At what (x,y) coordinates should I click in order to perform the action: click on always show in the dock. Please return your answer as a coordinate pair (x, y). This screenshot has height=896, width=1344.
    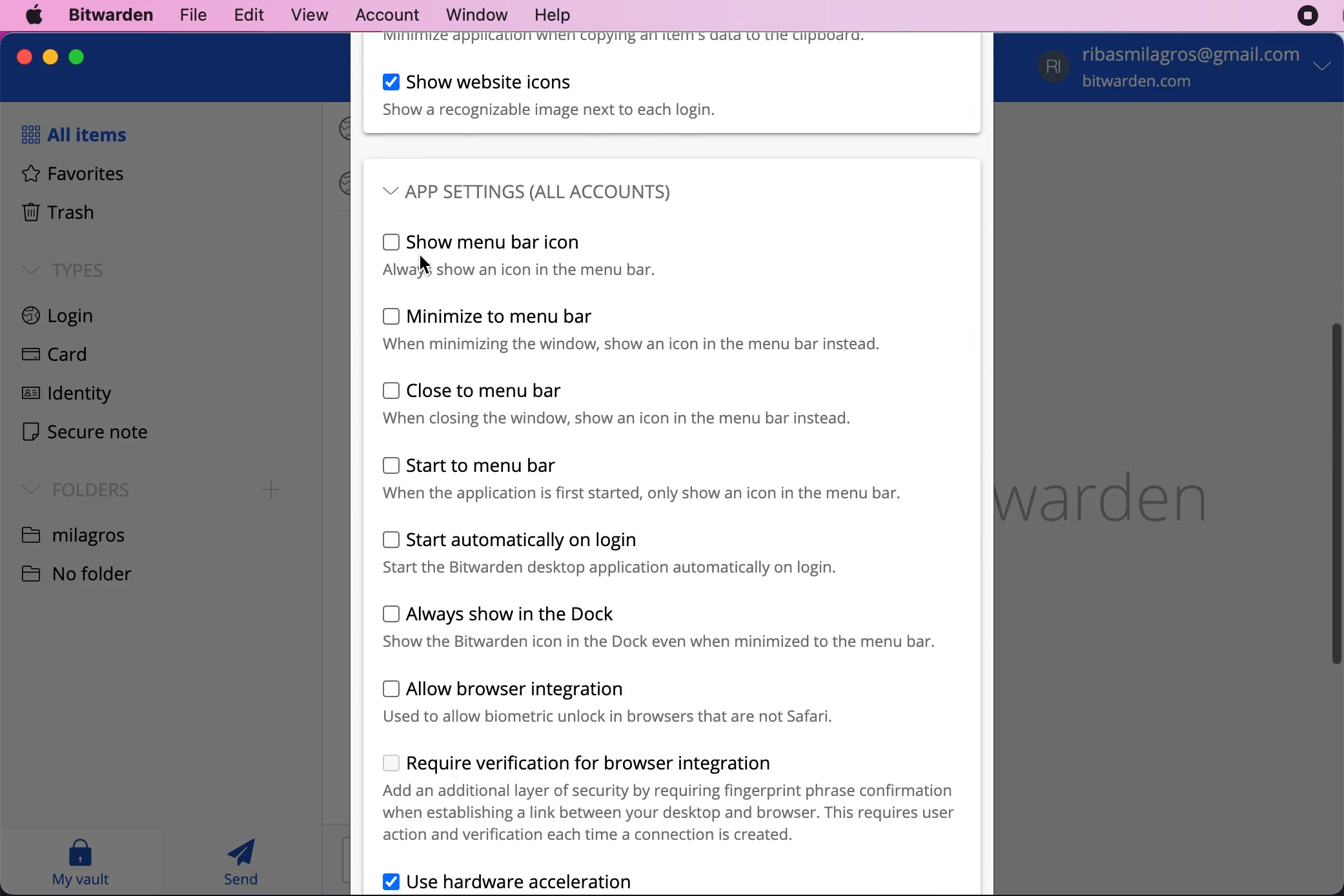
    Looking at the image, I should click on (671, 624).